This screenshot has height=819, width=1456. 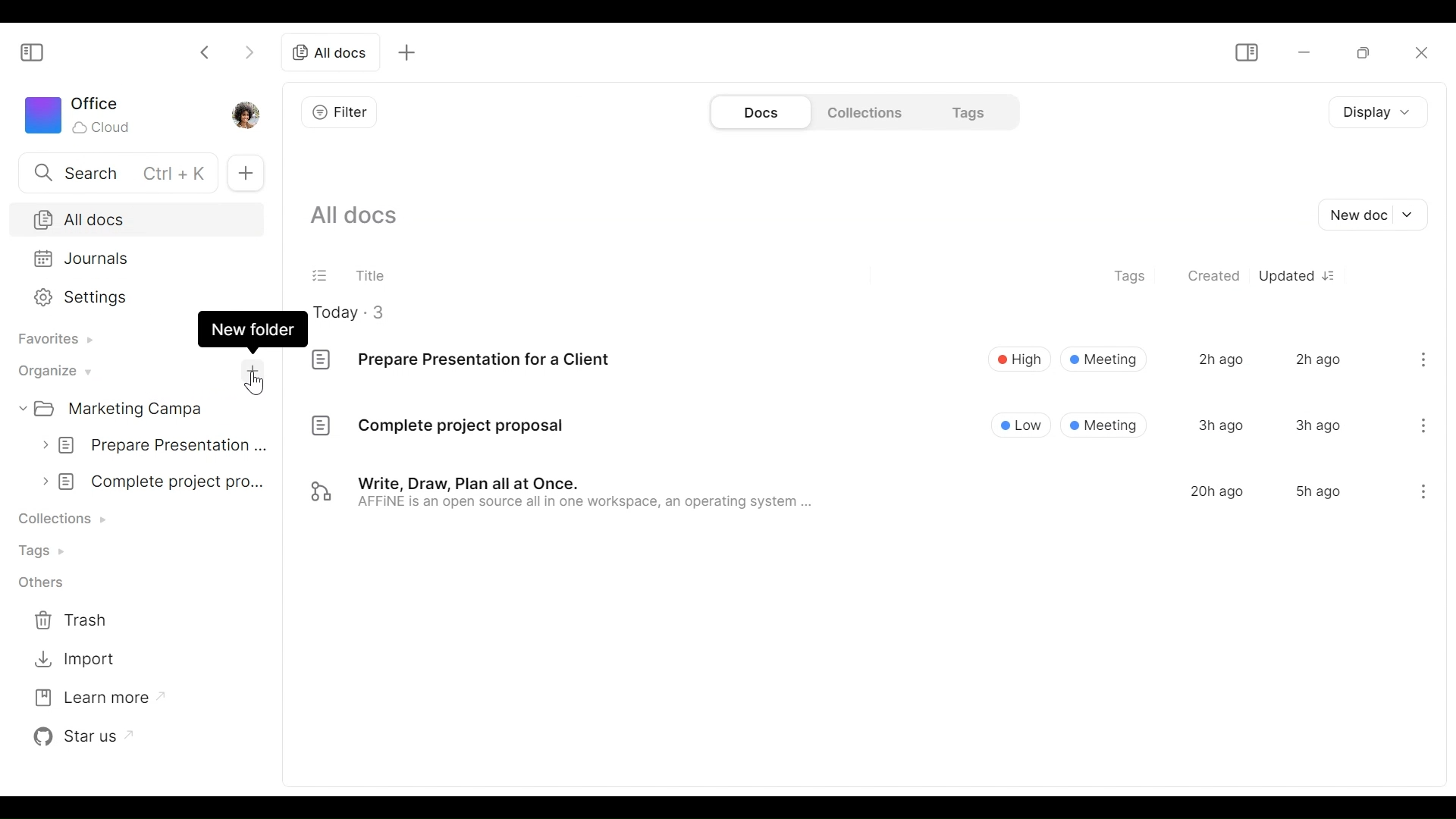 I want to click on Click to go forward, so click(x=245, y=53).